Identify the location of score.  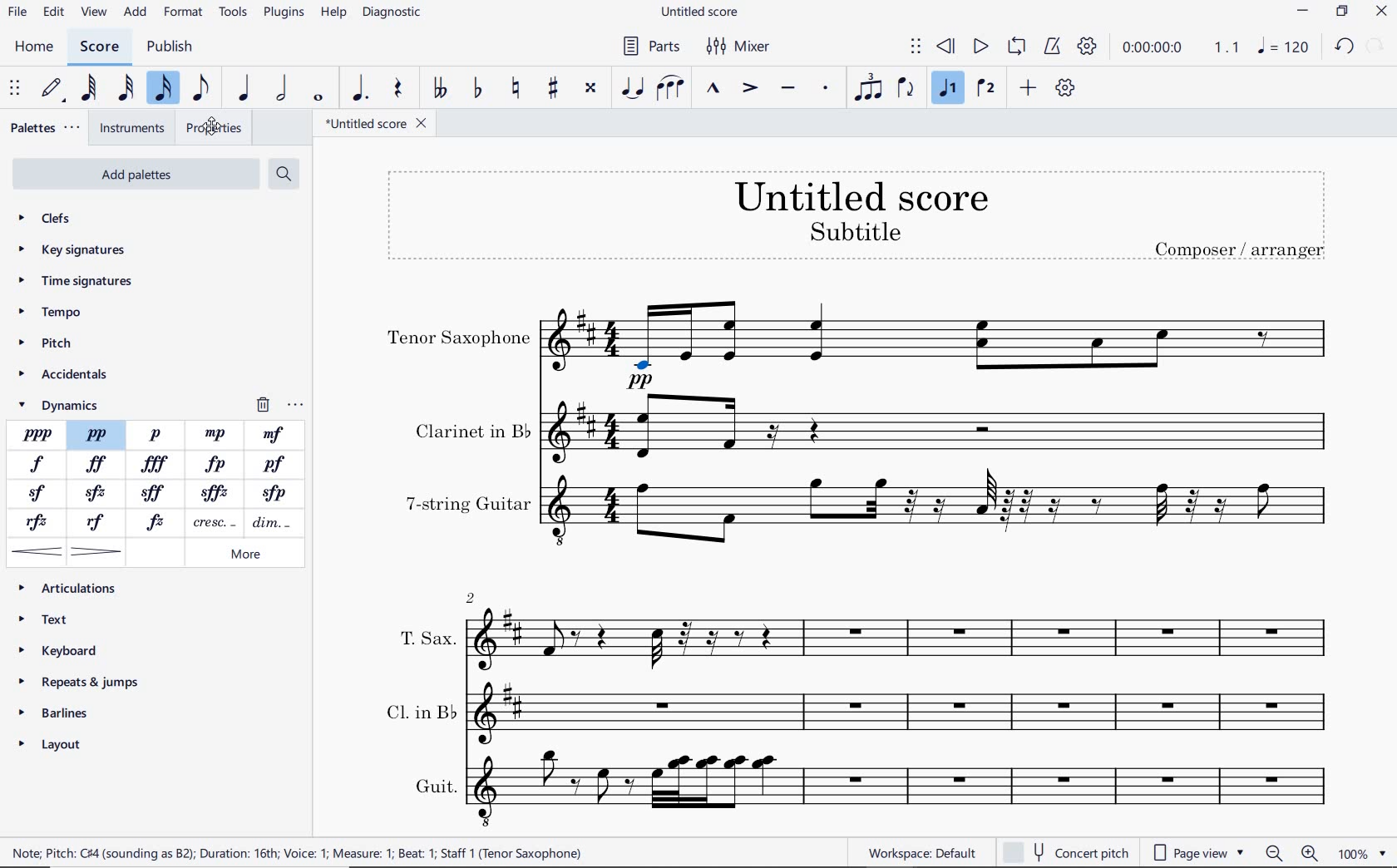
(99, 48).